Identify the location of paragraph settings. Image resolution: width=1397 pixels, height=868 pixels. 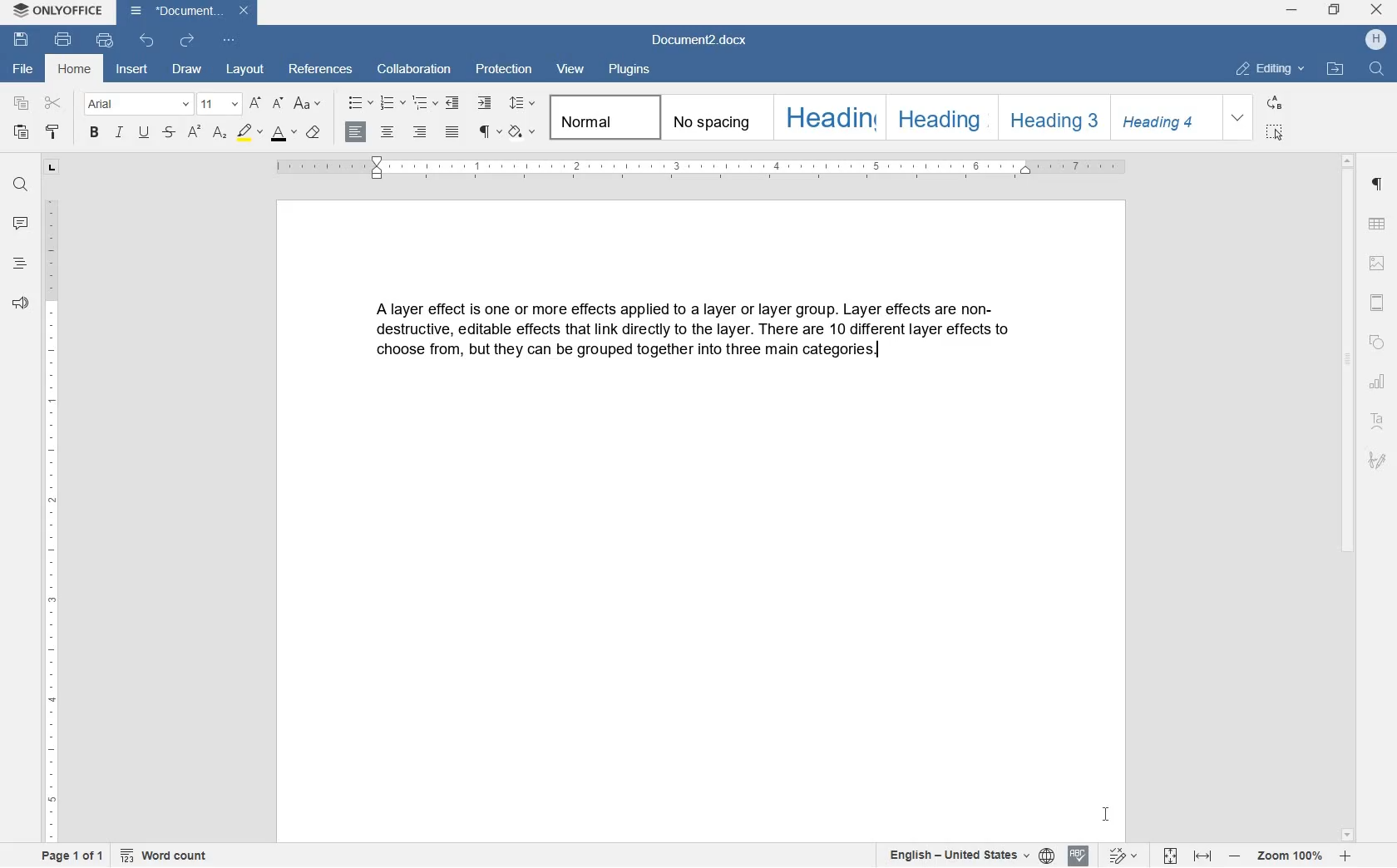
(1376, 185).